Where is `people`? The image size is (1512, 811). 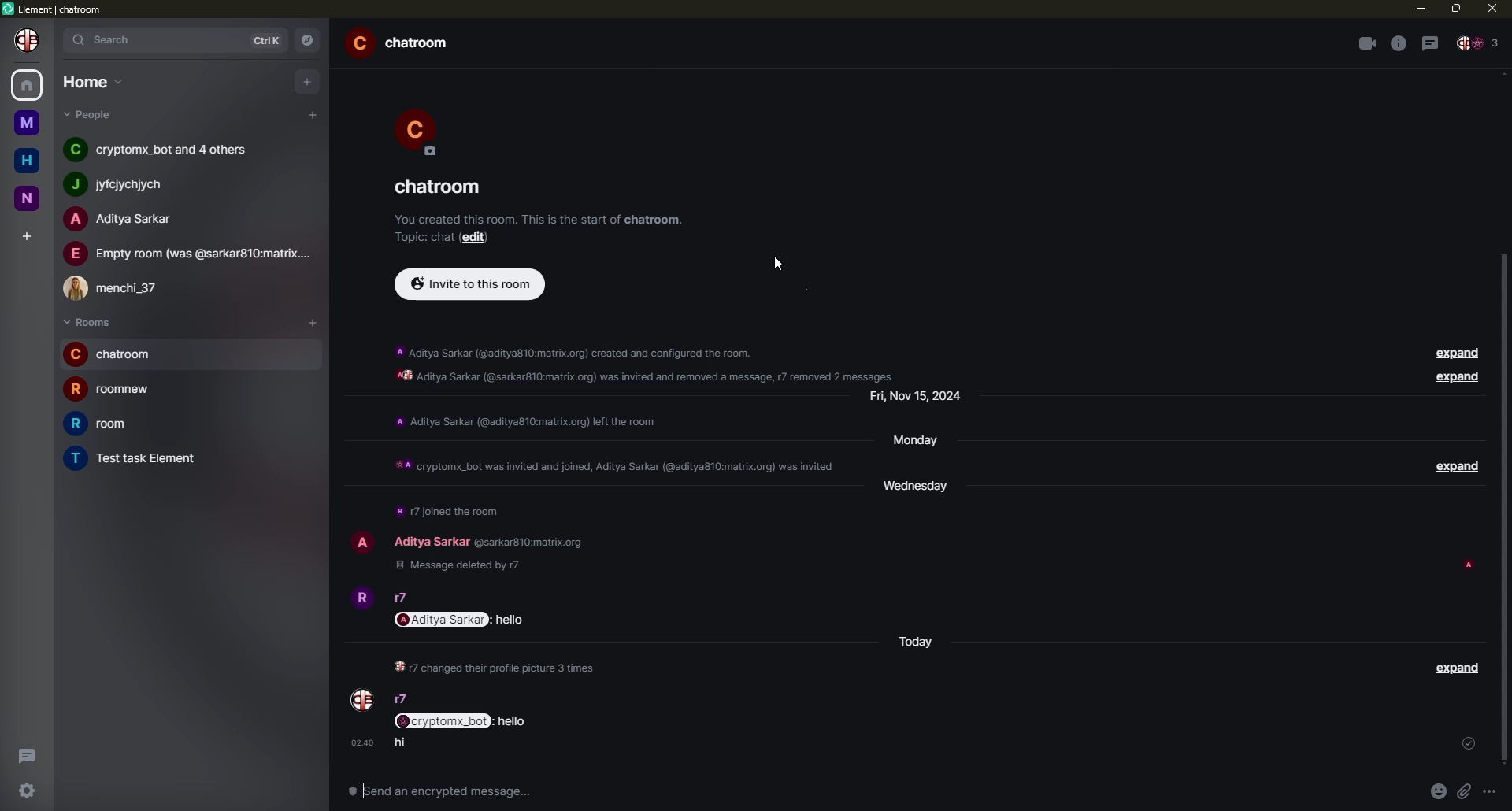 people is located at coordinates (91, 114).